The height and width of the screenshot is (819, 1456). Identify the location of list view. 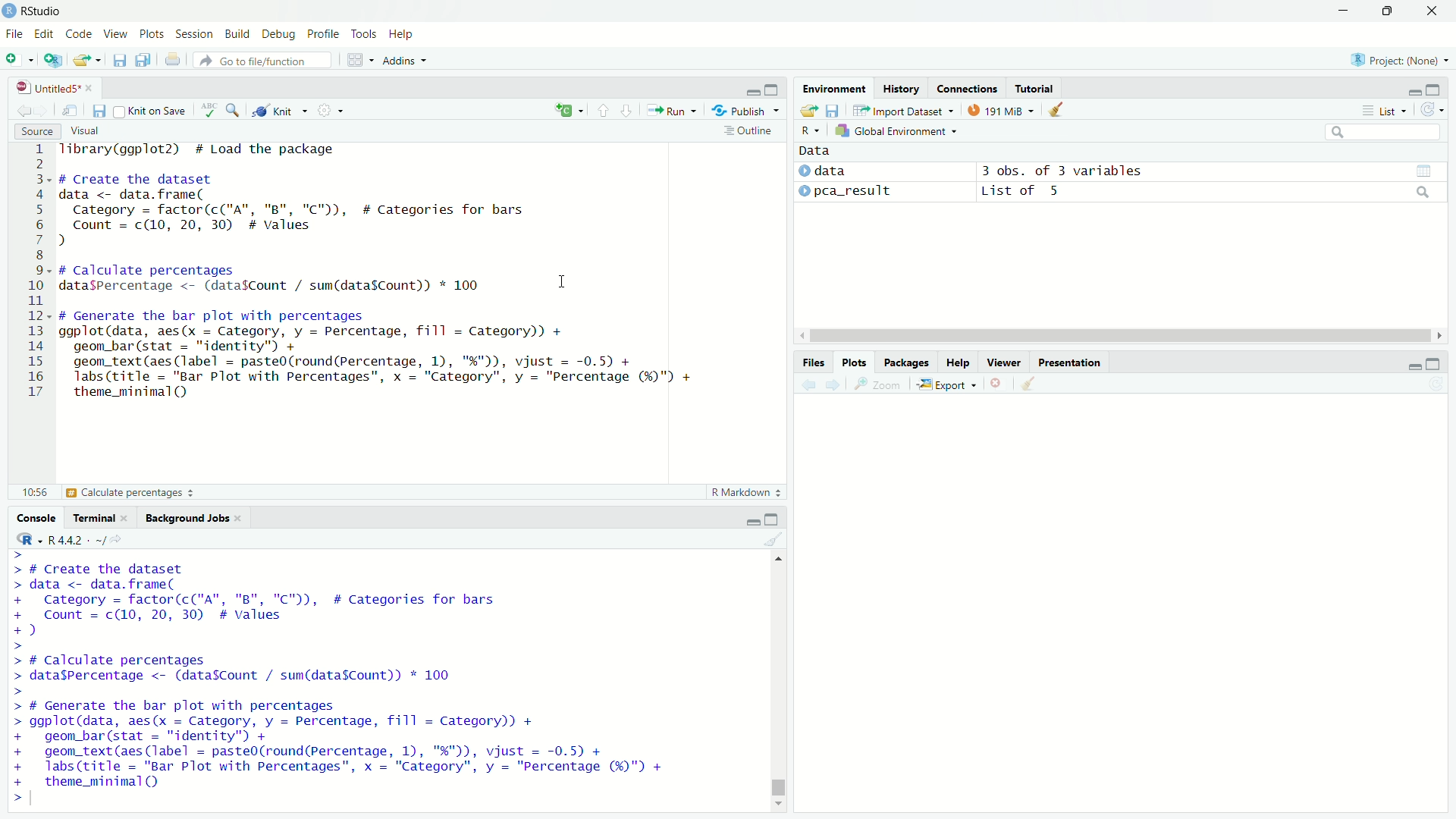
(1383, 111).